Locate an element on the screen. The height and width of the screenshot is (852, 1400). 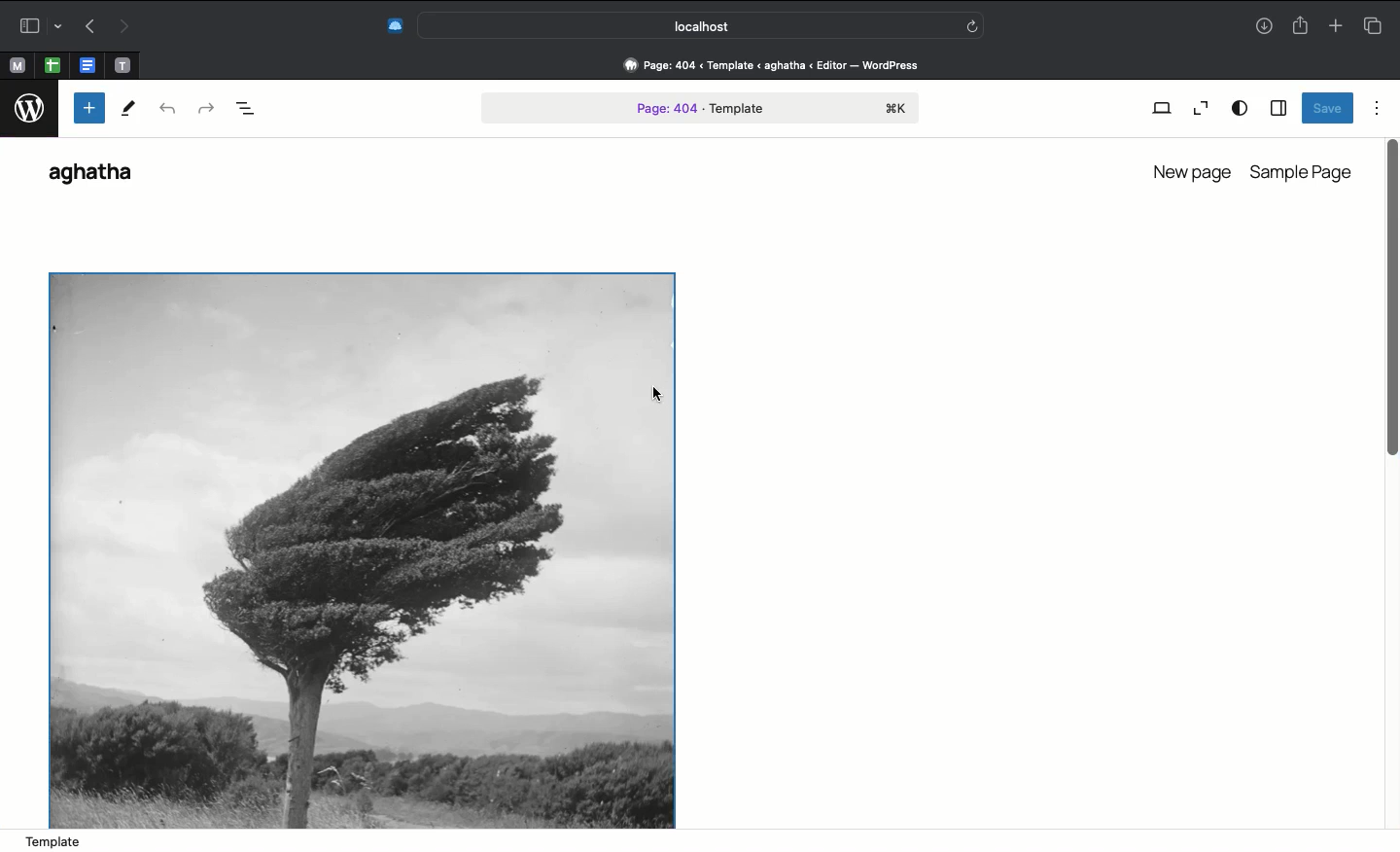
Image is located at coordinates (364, 549).